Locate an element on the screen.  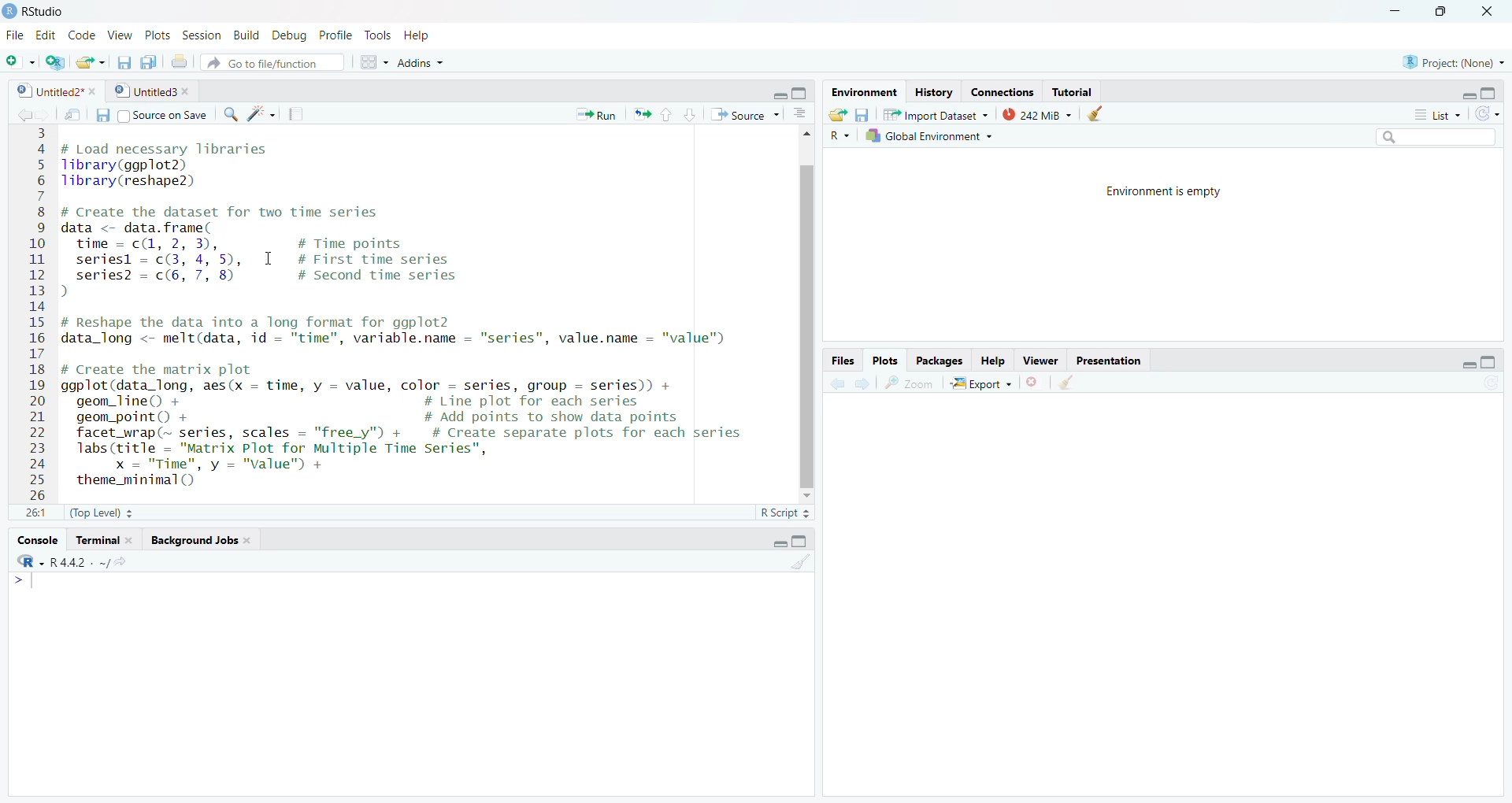
Zoom is located at coordinates (909, 383).